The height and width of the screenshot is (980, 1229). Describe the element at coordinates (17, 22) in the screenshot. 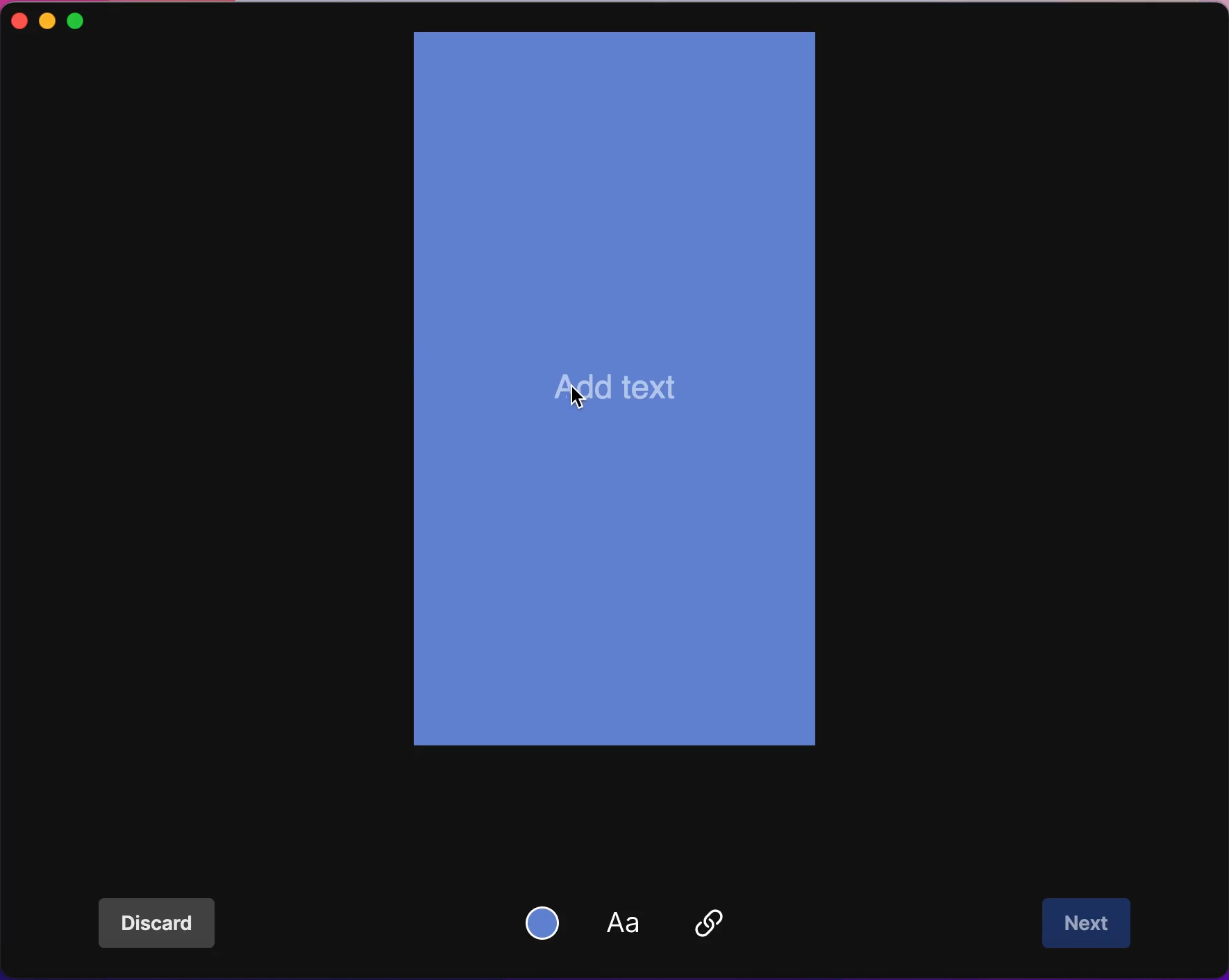

I see `close` at that location.